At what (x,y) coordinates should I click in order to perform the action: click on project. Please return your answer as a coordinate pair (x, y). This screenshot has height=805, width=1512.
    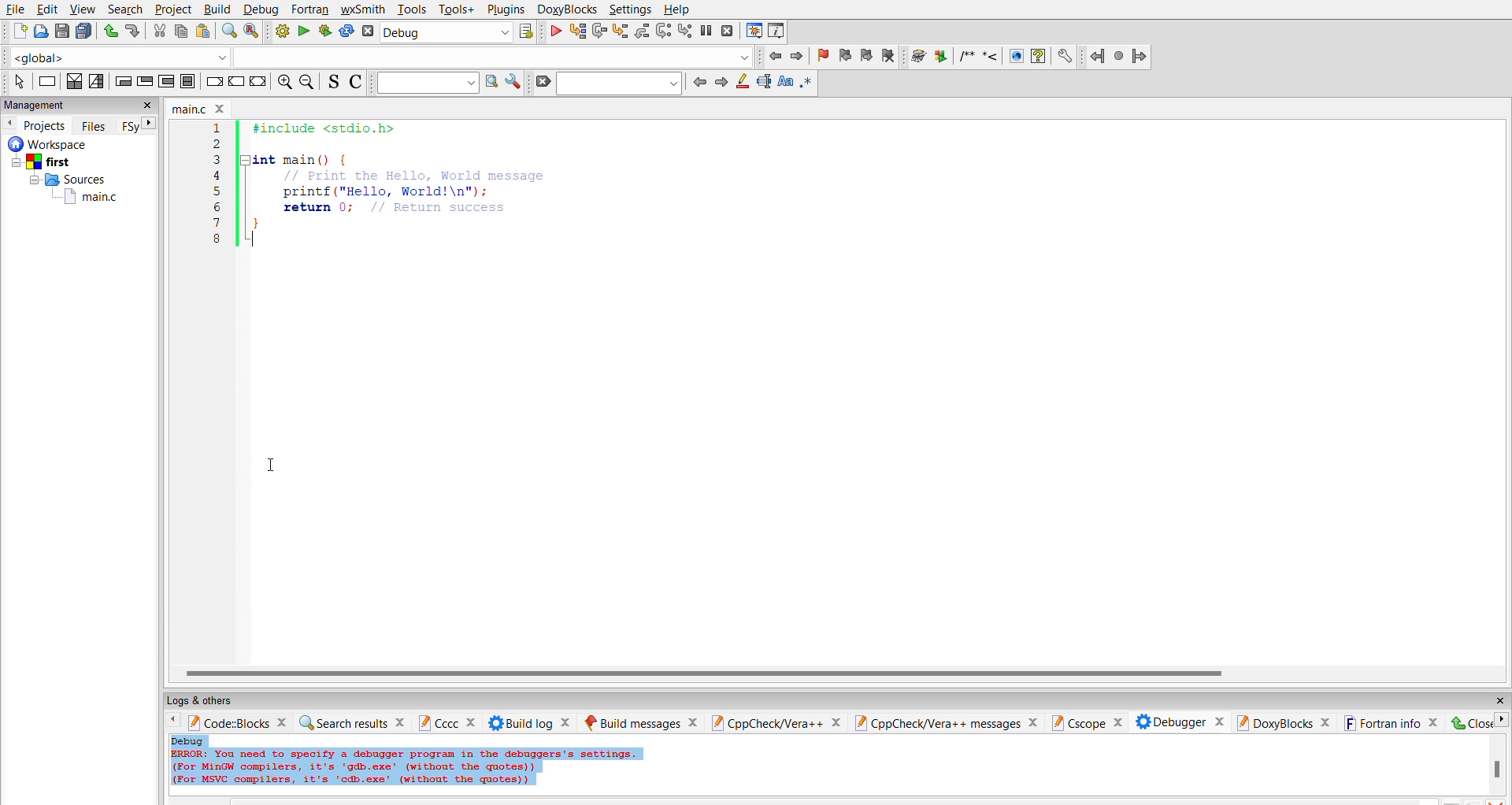
    Looking at the image, I should click on (171, 9).